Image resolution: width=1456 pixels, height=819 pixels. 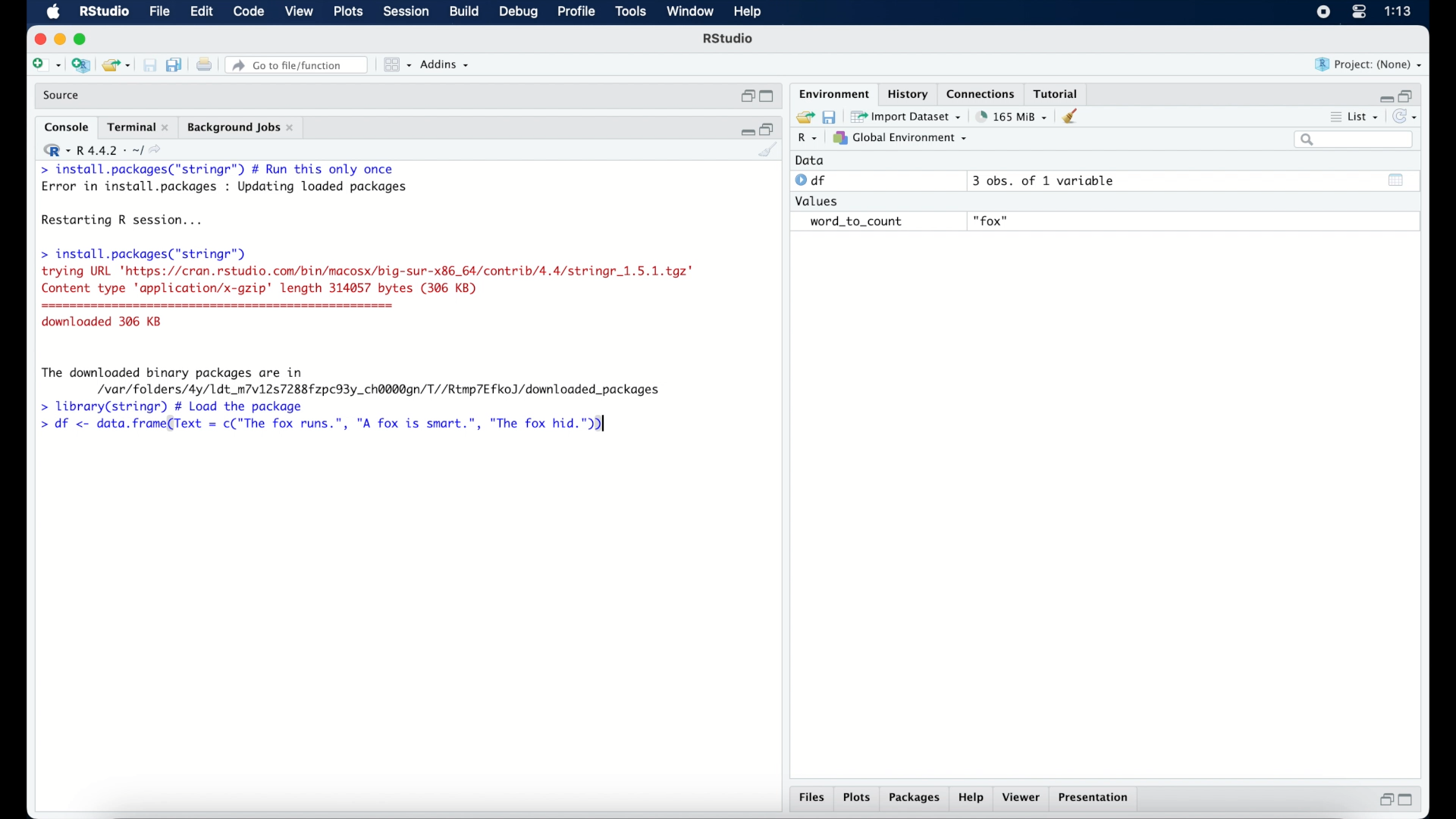 I want to click on session, so click(x=405, y=12).